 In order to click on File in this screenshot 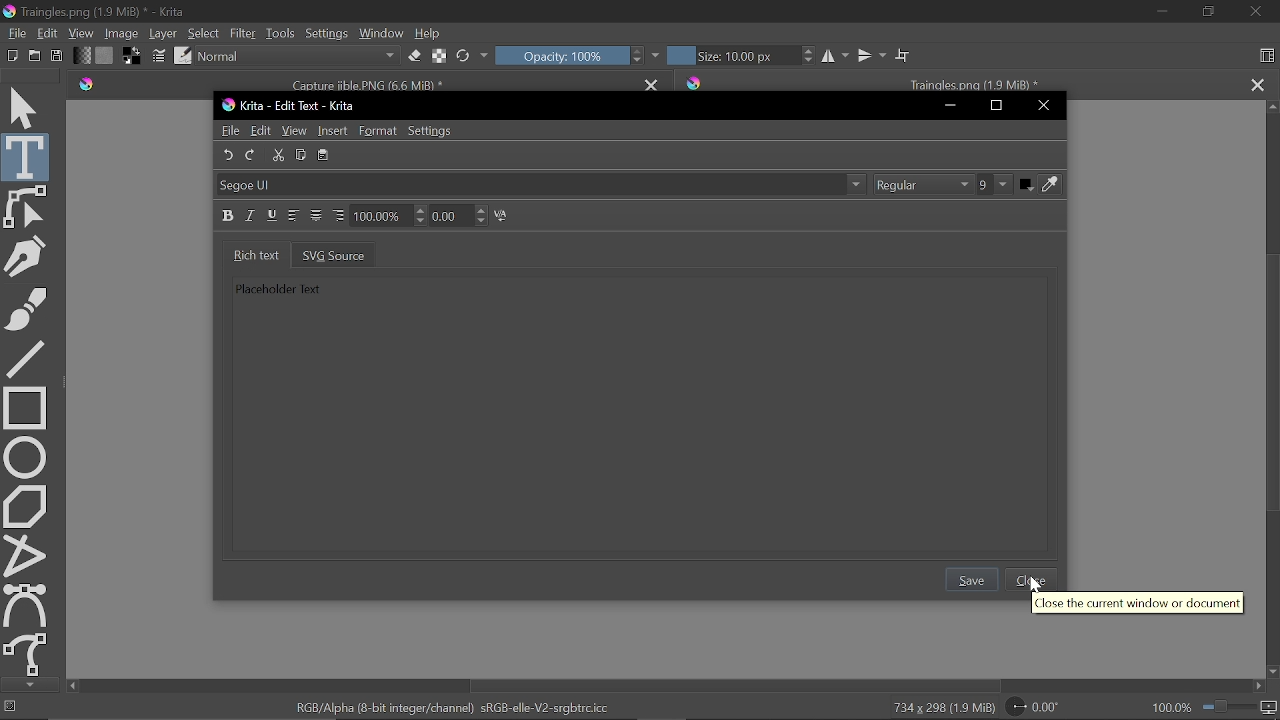, I will do `click(14, 33)`.